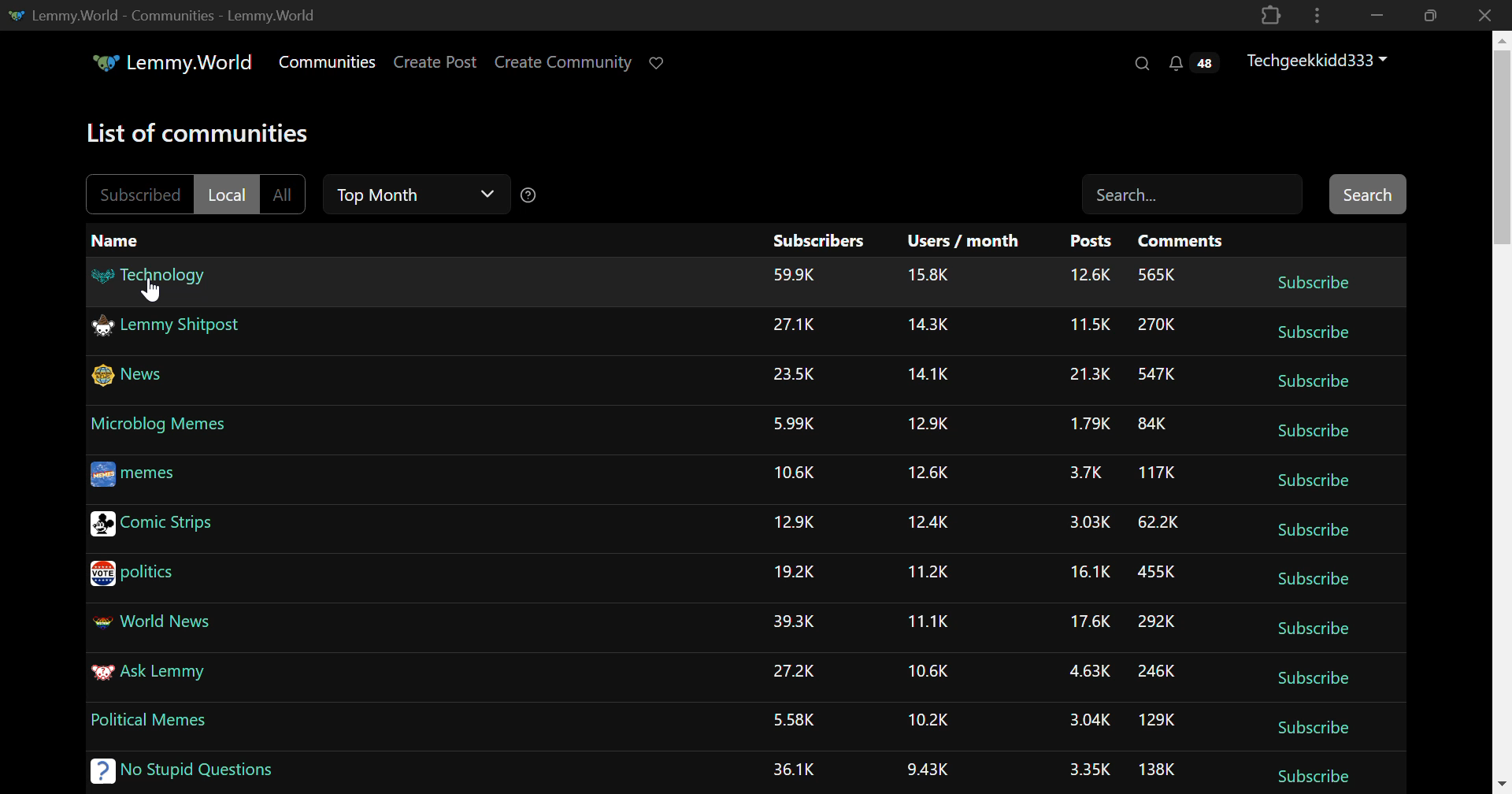 This screenshot has height=794, width=1512. I want to click on Subscribe, so click(1312, 532).